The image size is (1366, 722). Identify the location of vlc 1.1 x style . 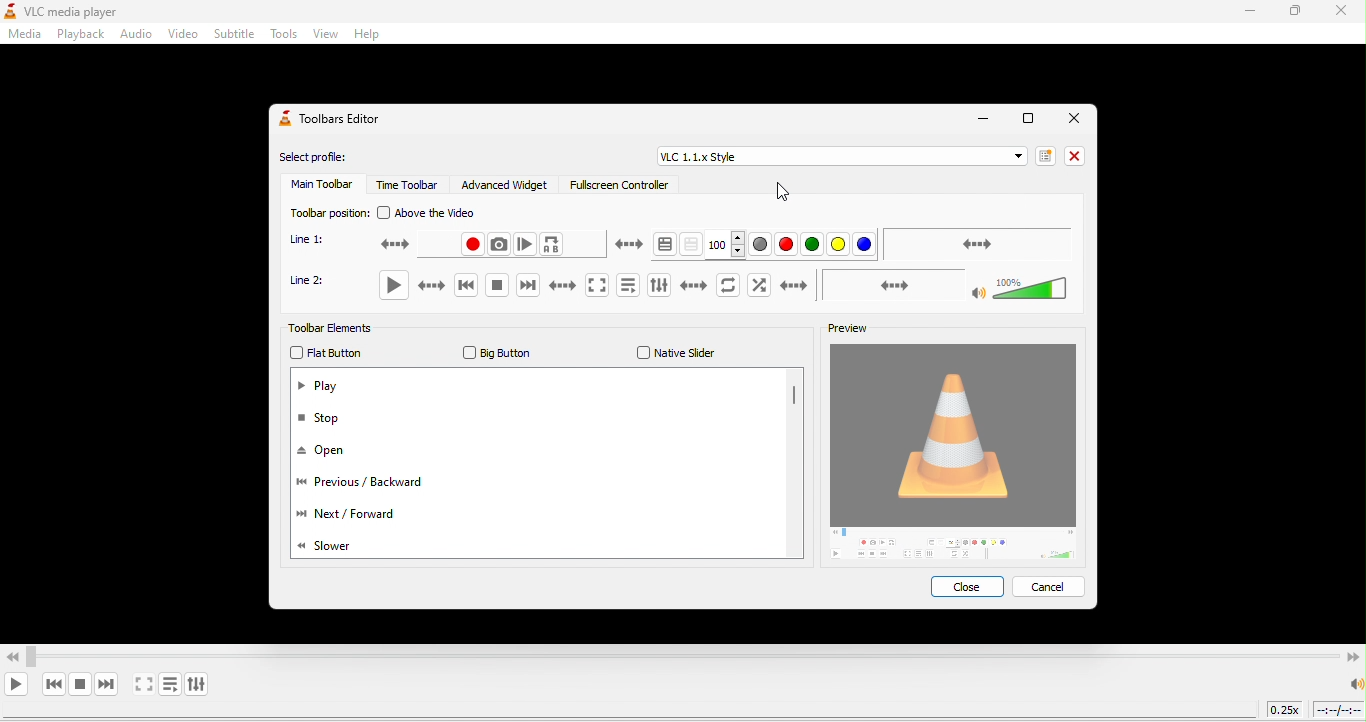
(838, 157).